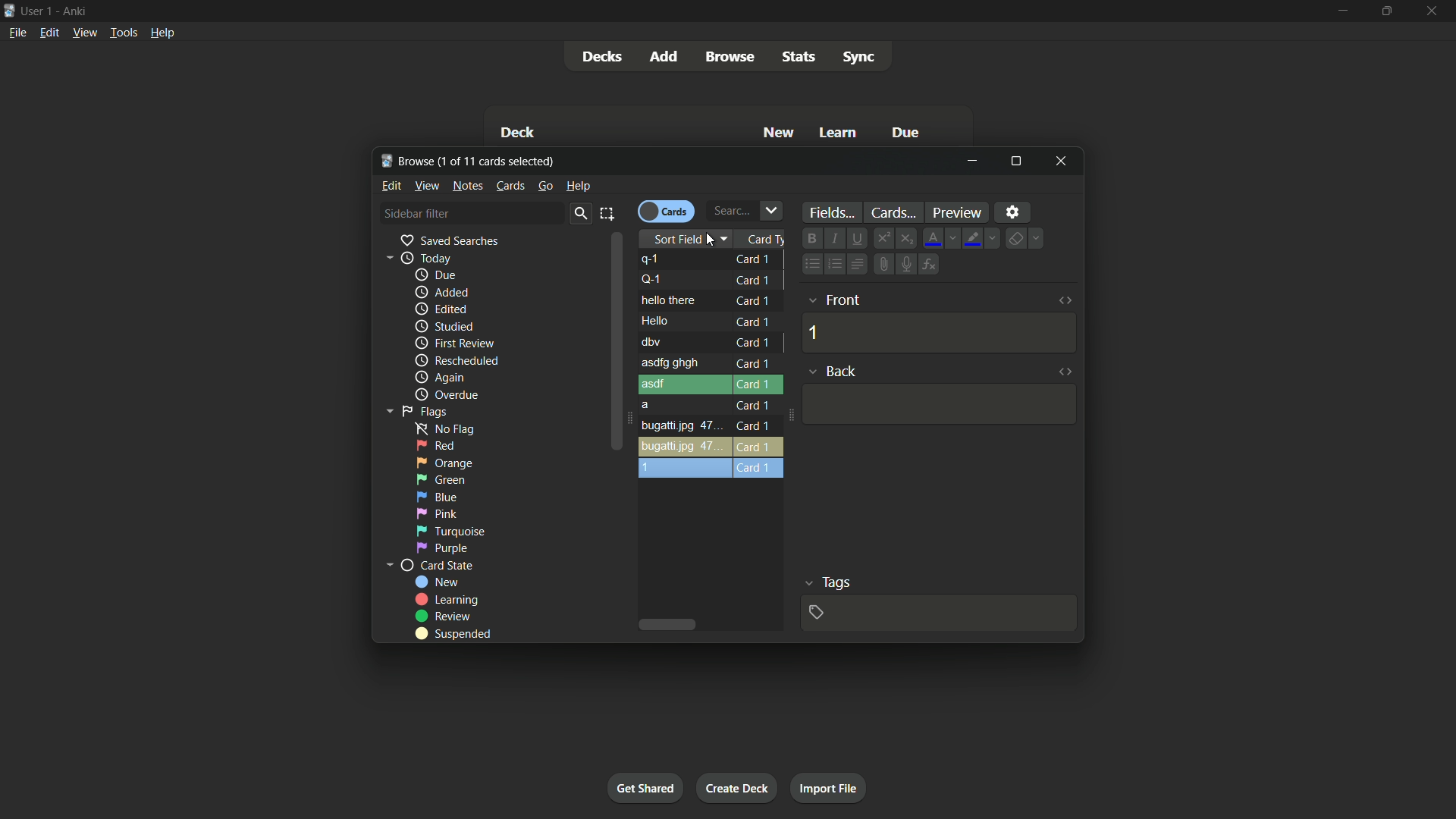 Image resolution: width=1456 pixels, height=819 pixels. I want to click on record audio, so click(907, 265).